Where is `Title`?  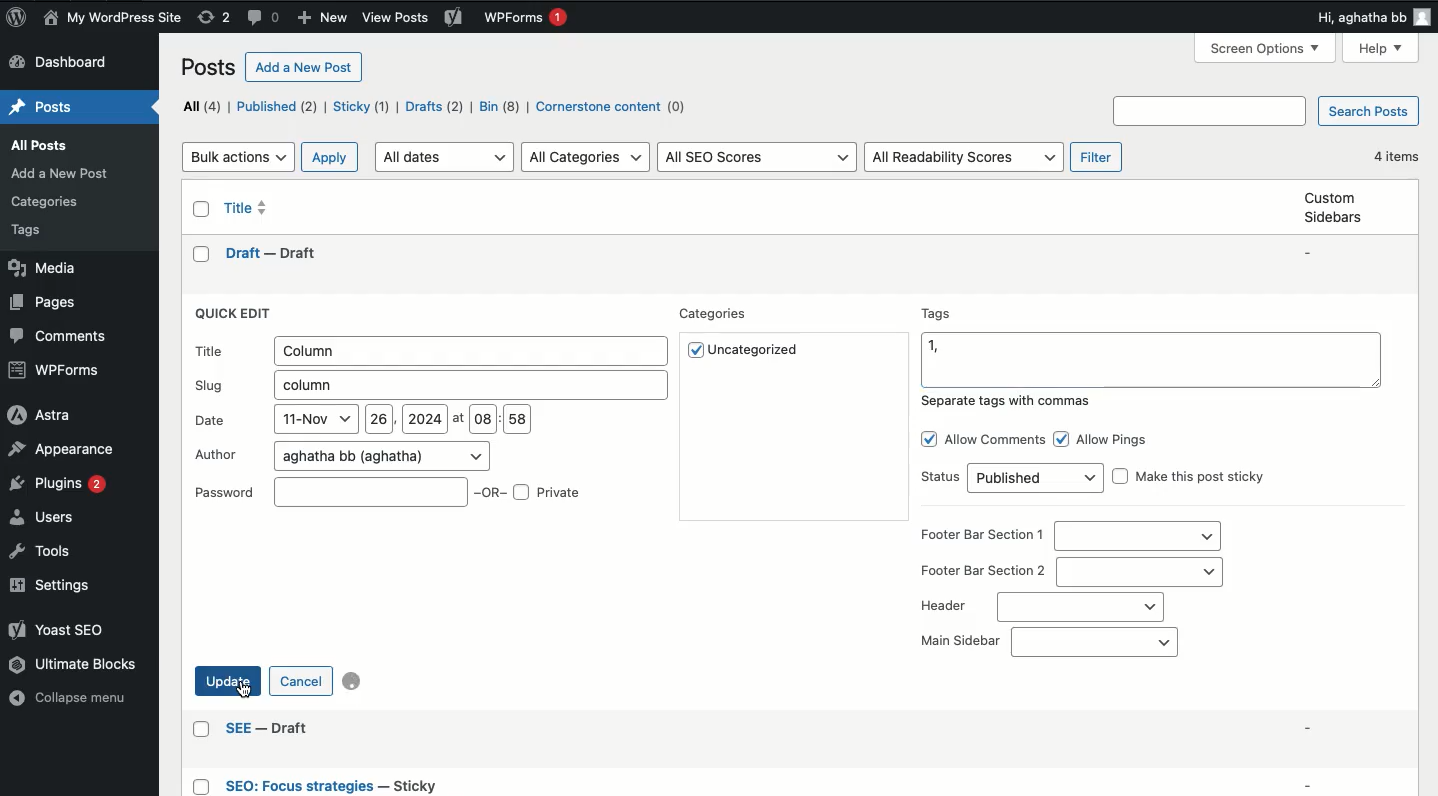 Title is located at coordinates (254, 209).